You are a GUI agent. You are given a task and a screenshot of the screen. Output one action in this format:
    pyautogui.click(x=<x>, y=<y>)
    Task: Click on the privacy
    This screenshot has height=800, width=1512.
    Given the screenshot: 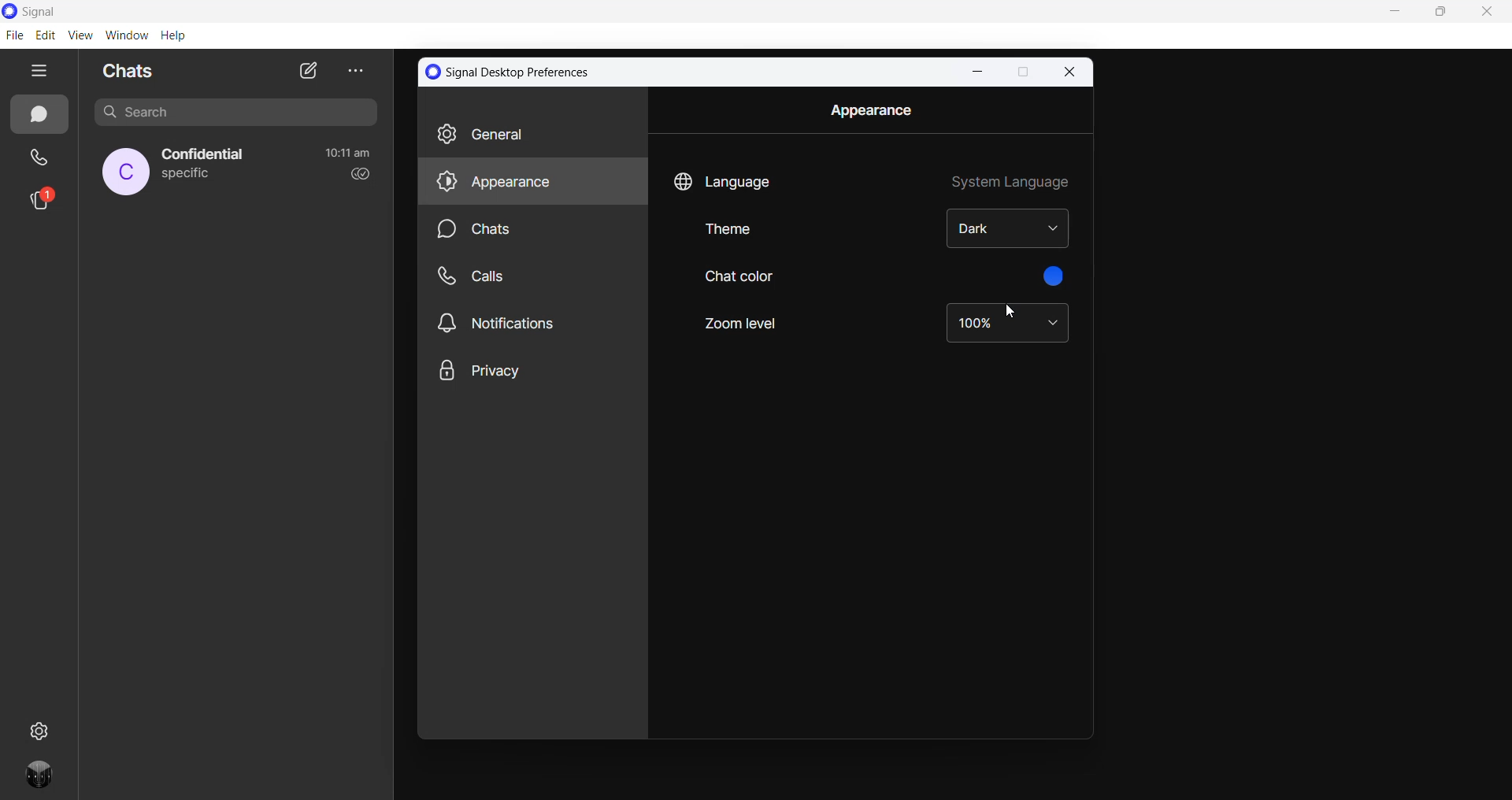 What is the action you would take?
    pyautogui.click(x=526, y=369)
    